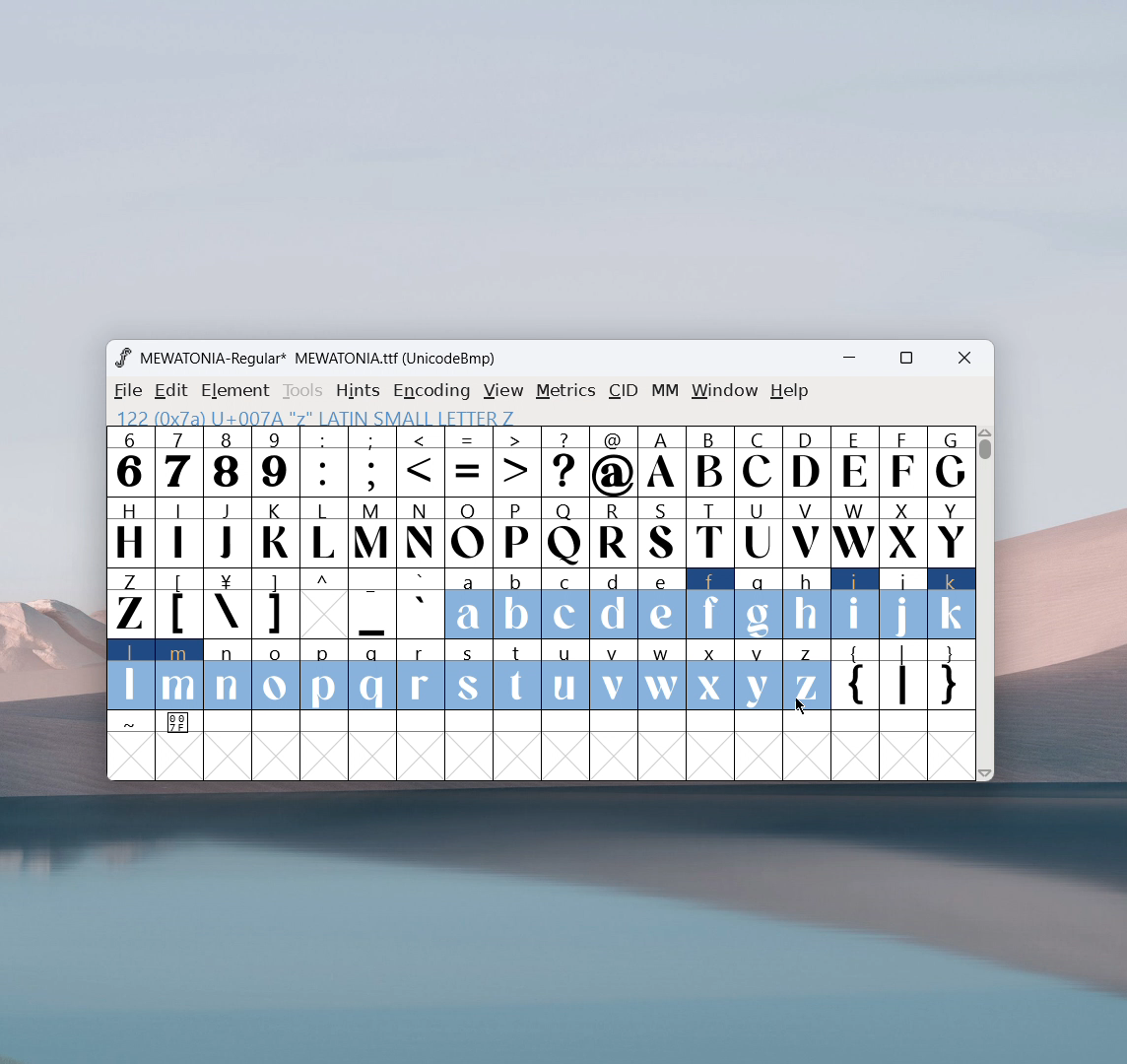  I want to click on z, so click(806, 675).